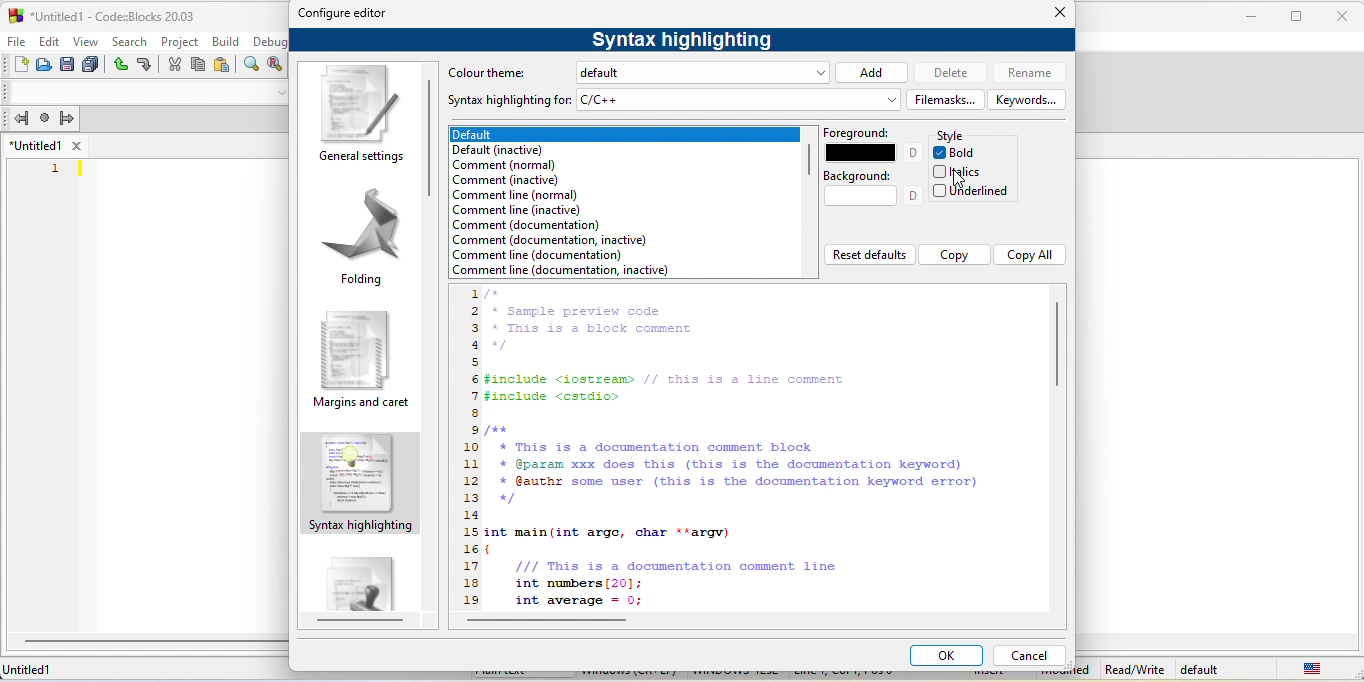 This screenshot has height=682, width=1364. I want to click on default (inactive), so click(515, 150).